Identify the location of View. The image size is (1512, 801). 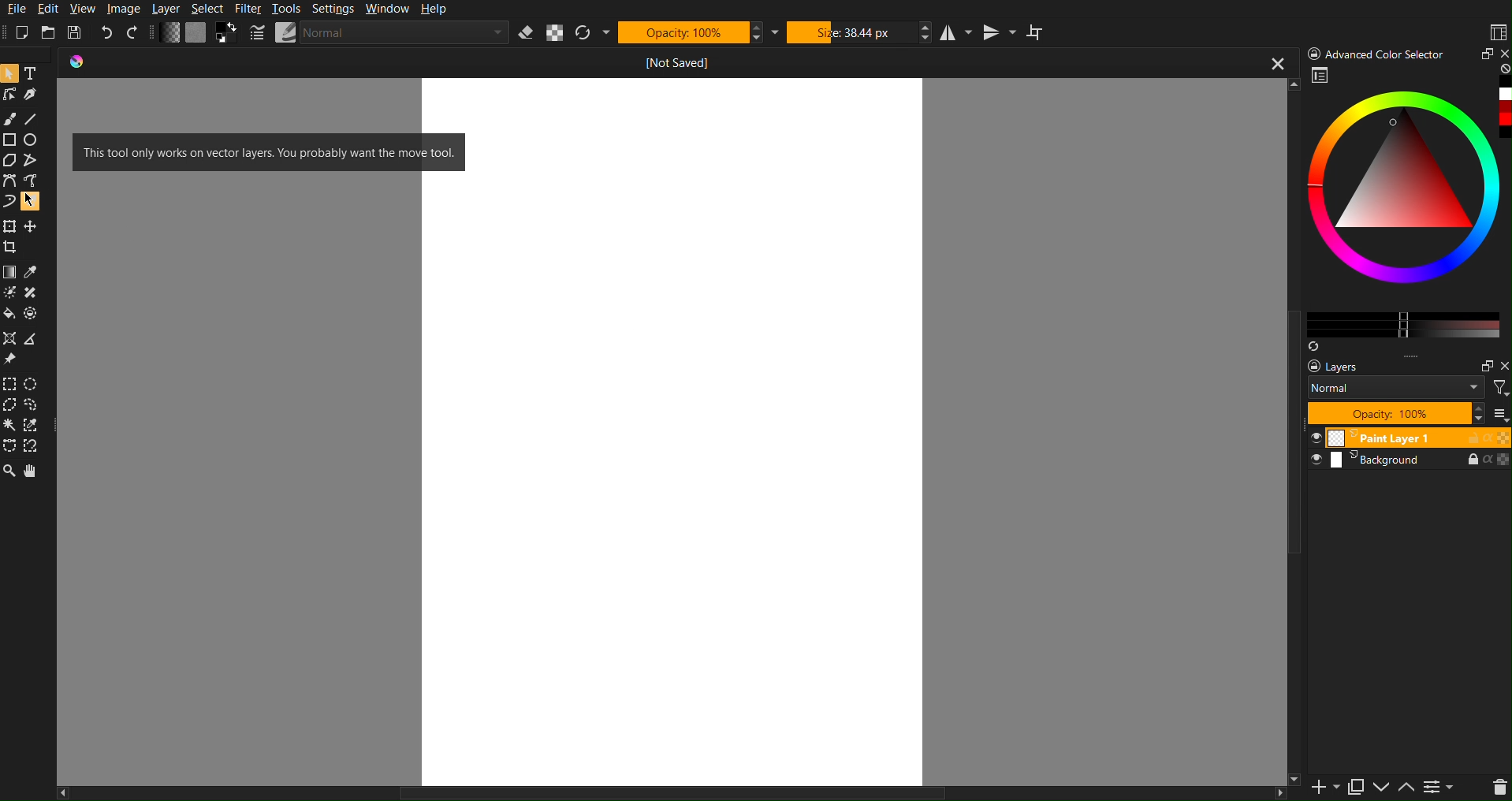
(84, 9).